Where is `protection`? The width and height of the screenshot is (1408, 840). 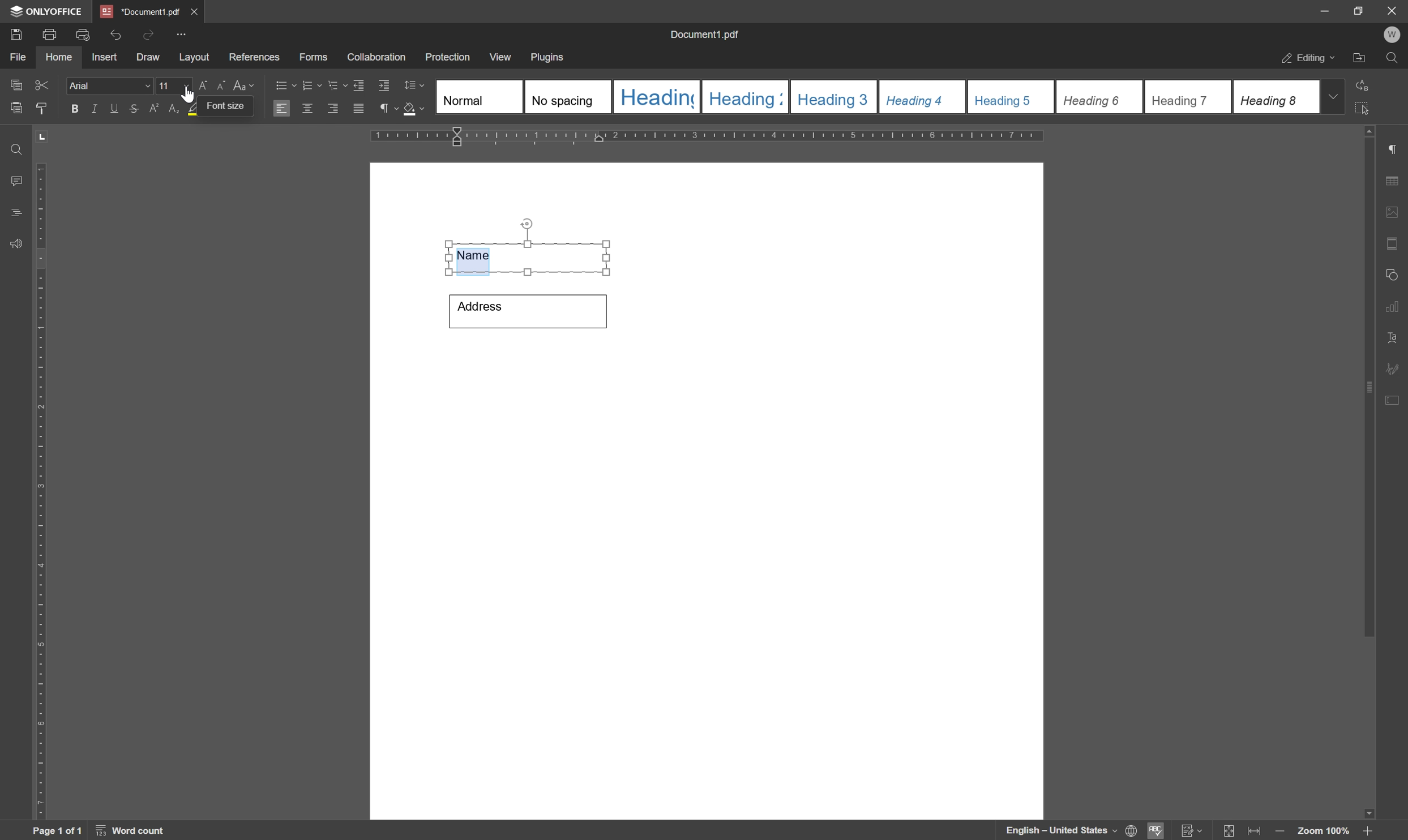
protection is located at coordinates (448, 57).